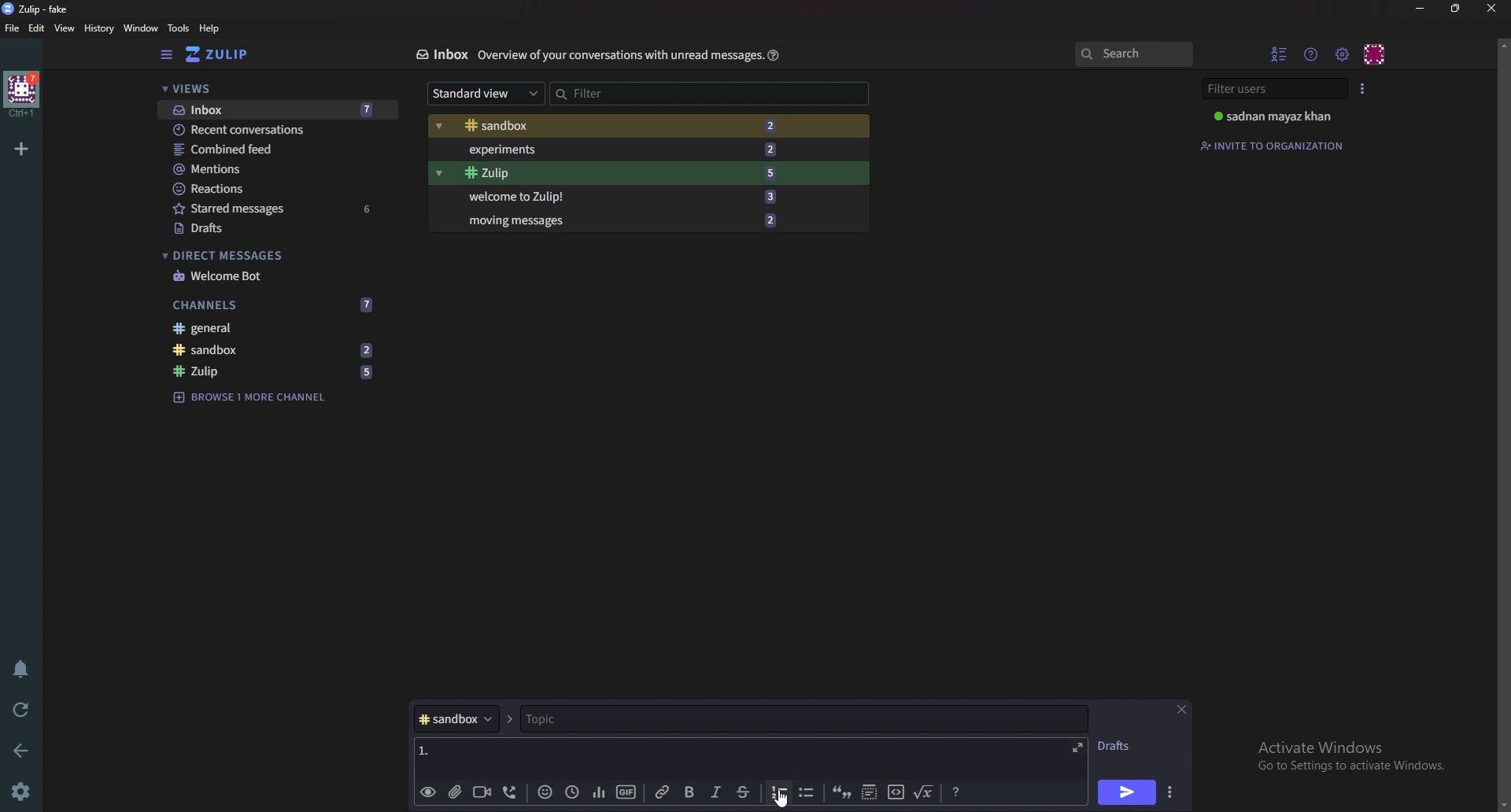 This screenshot has height=812, width=1511. Describe the element at coordinates (1313, 54) in the screenshot. I see `Help menu` at that location.